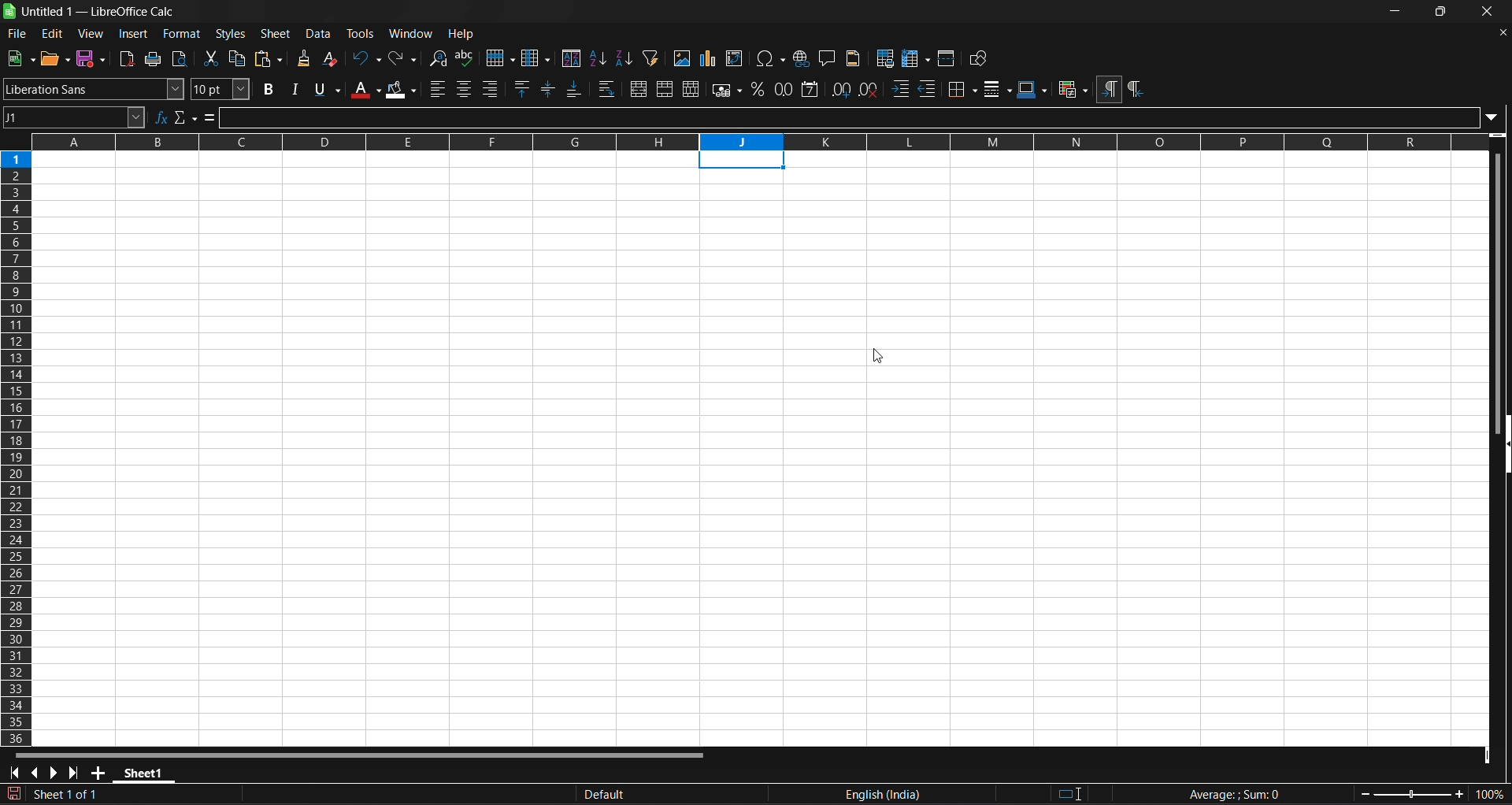 This screenshot has height=805, width=1512. I want to click on format as number, so click(784, 89).